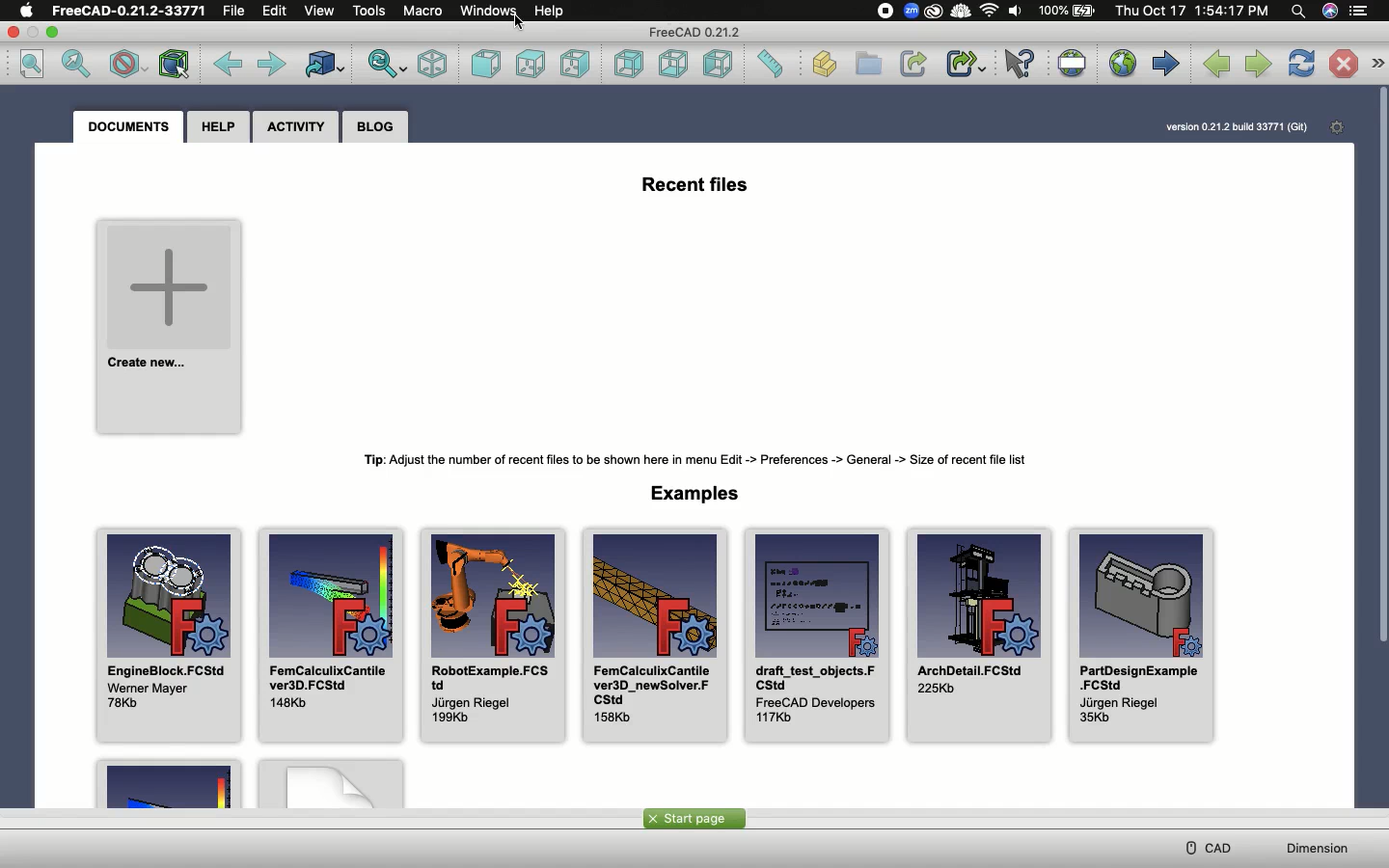 The width and height of the screenshot is (1389, 868). What do you see at coordinates (933, 12) in the screenshot?
I see `Extension` at bounding box center [933, 12].